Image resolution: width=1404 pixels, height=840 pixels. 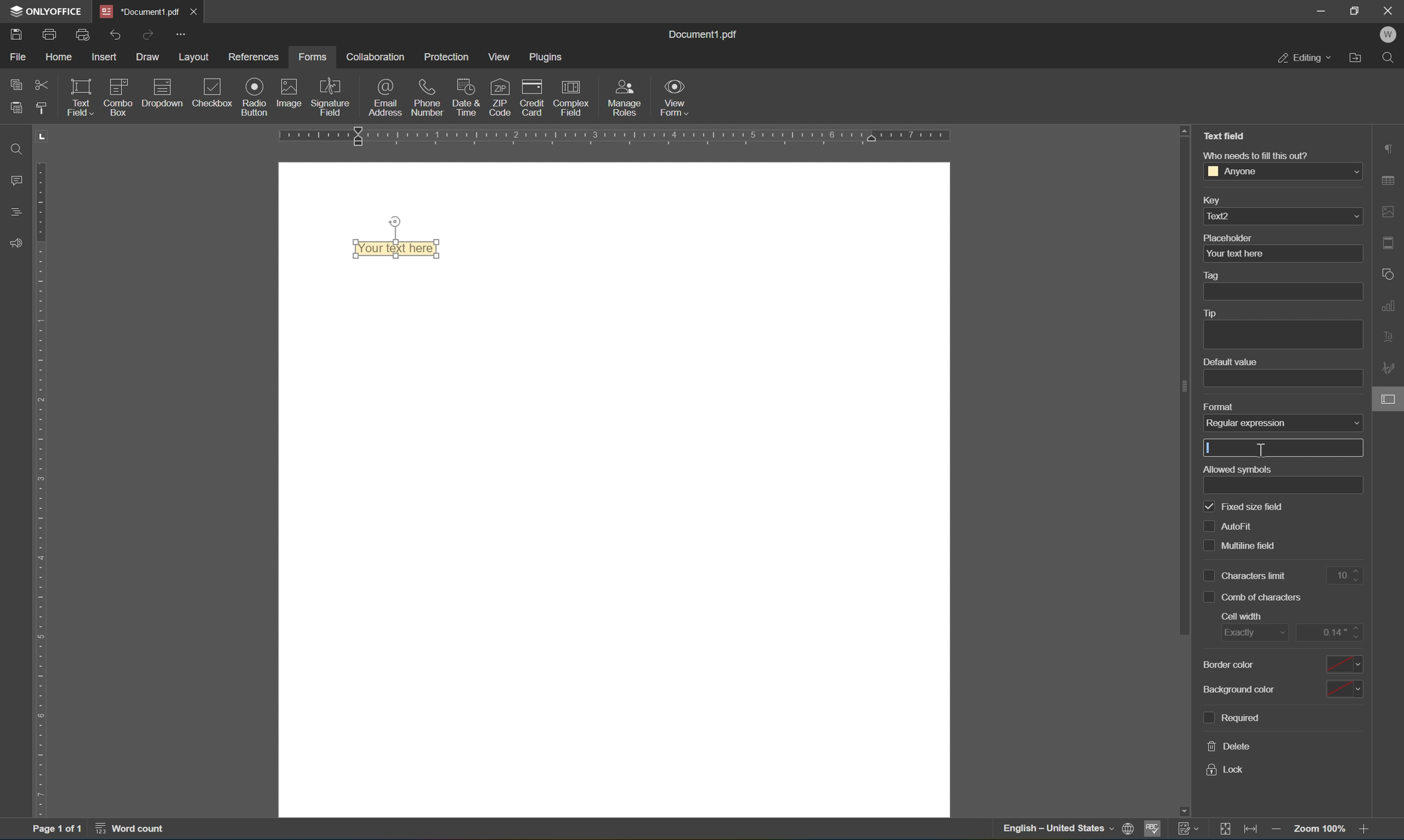 I want to click on zoom 100%, so click(x=1318, y=828).